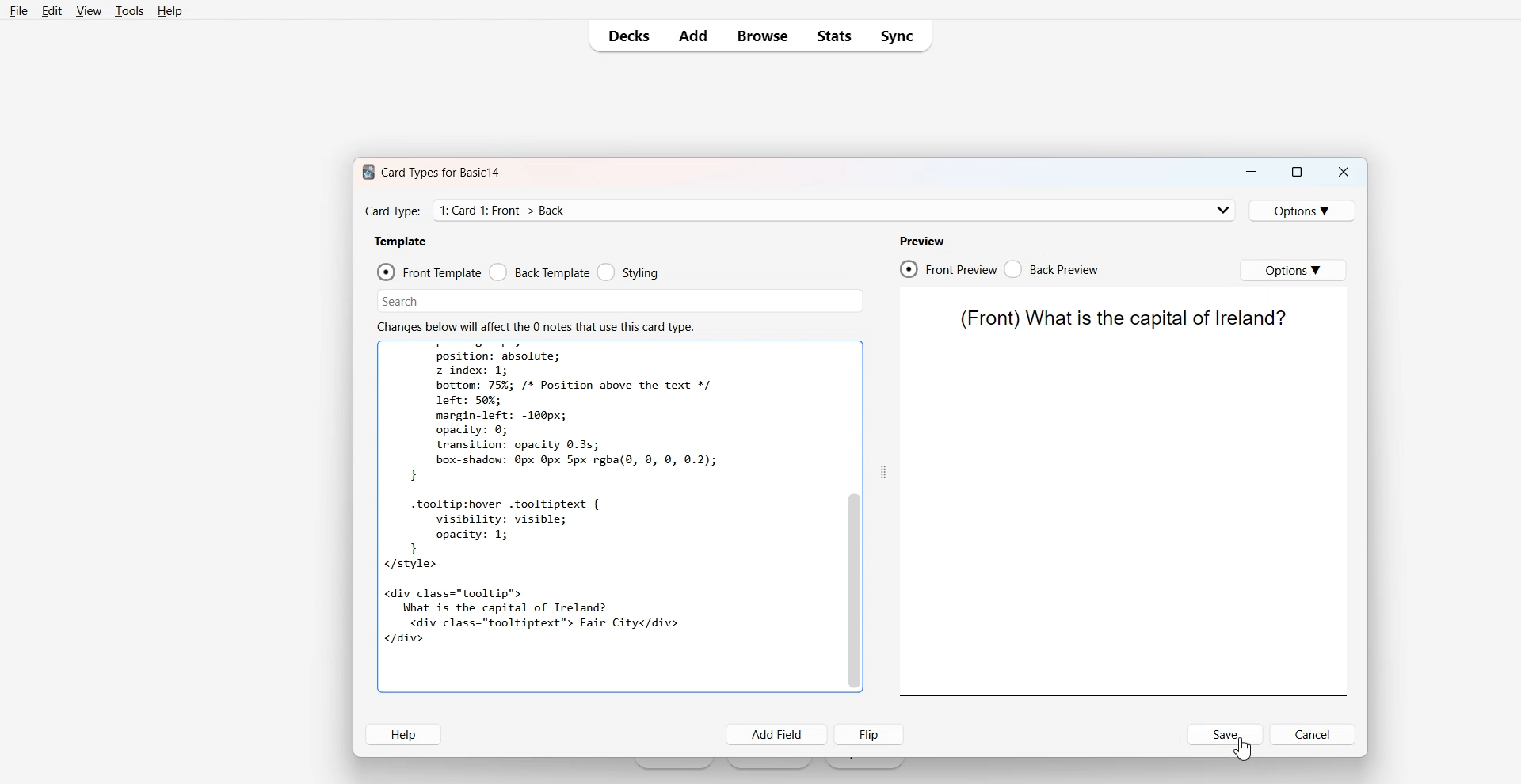 The image size is (1521, 784). I want to click on Back Template, so click(539, 272).